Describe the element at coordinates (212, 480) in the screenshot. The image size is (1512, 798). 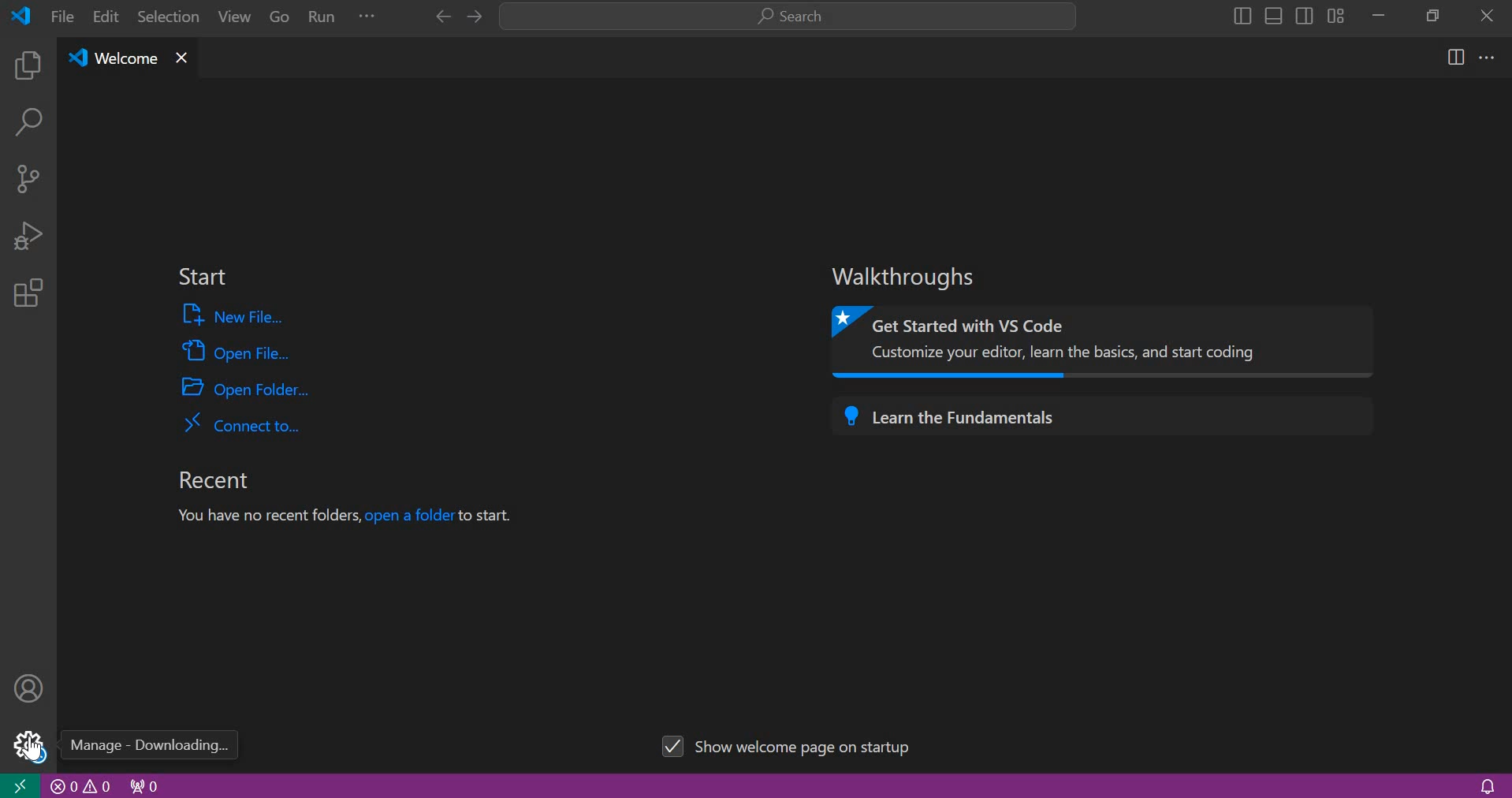
I see `recent` at that location.